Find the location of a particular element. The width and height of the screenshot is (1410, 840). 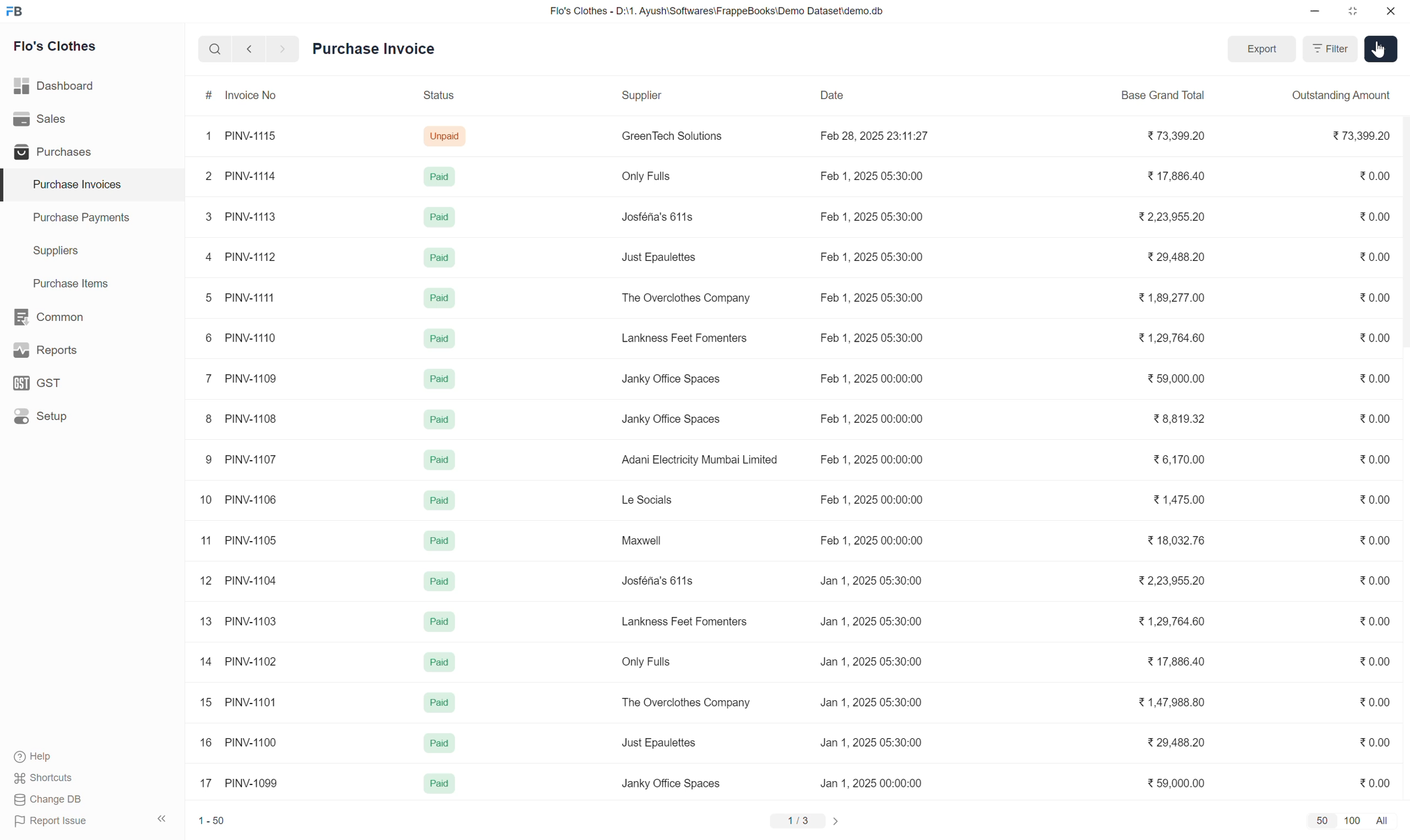

Just Epaulettes is located at coordinates (659, 740).